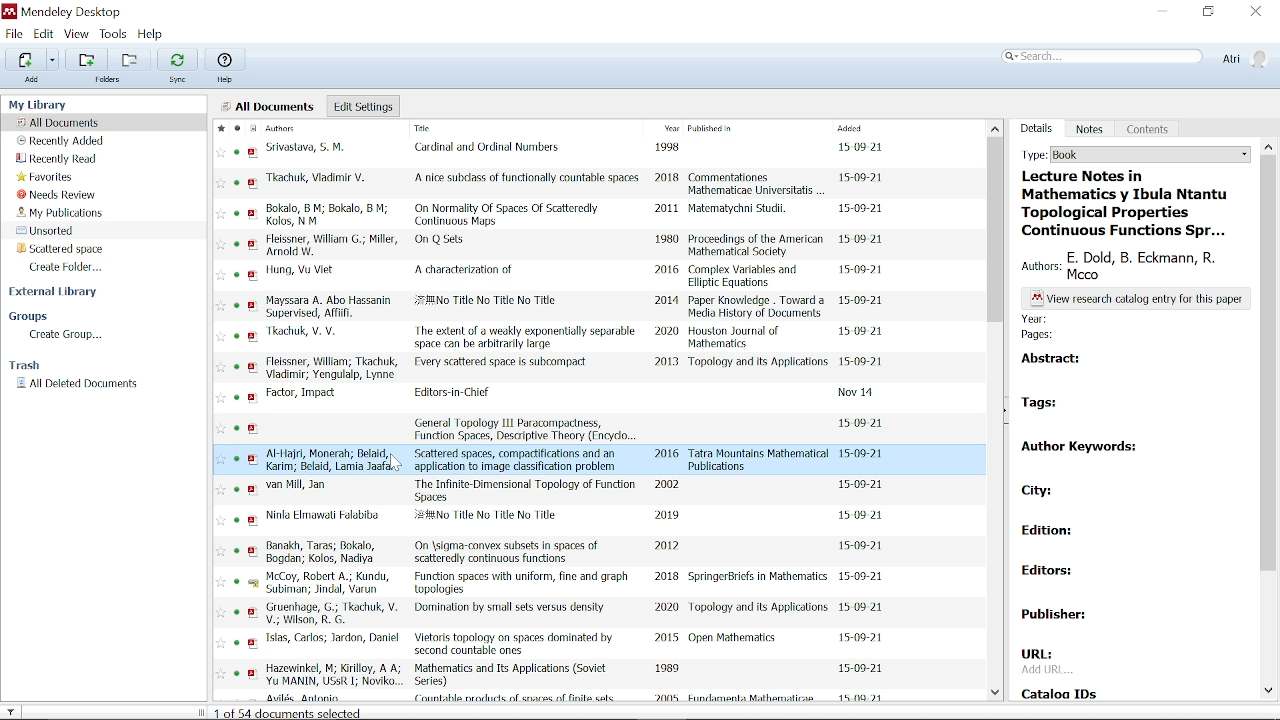  I want to click on 2011, so click(666, 208).